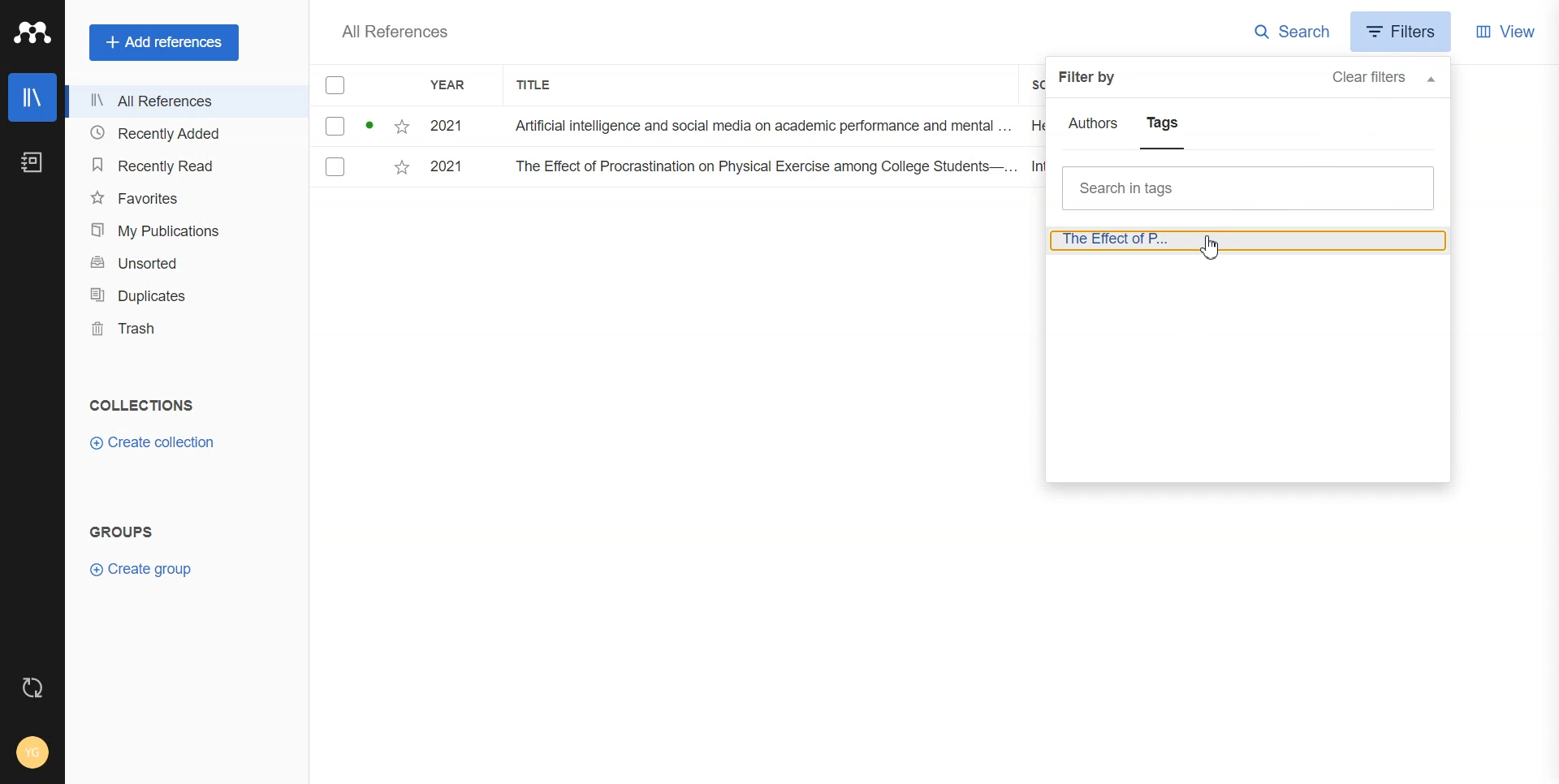 Image resolution: width=1559 pixels, height=784 pixels. Describe the element at coordinates (542, 86) in the screenshot. I see `Title` at that location.